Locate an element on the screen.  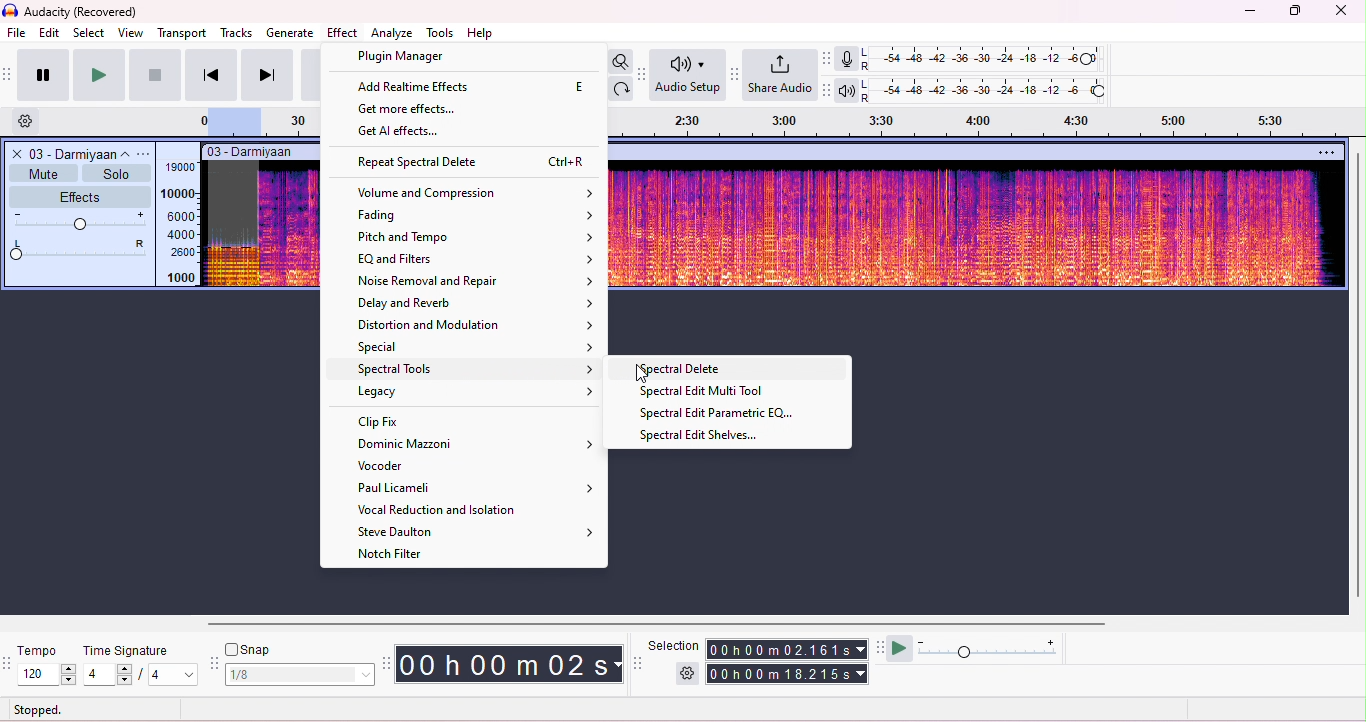
time tool bar is located at coordinates (389, 663).